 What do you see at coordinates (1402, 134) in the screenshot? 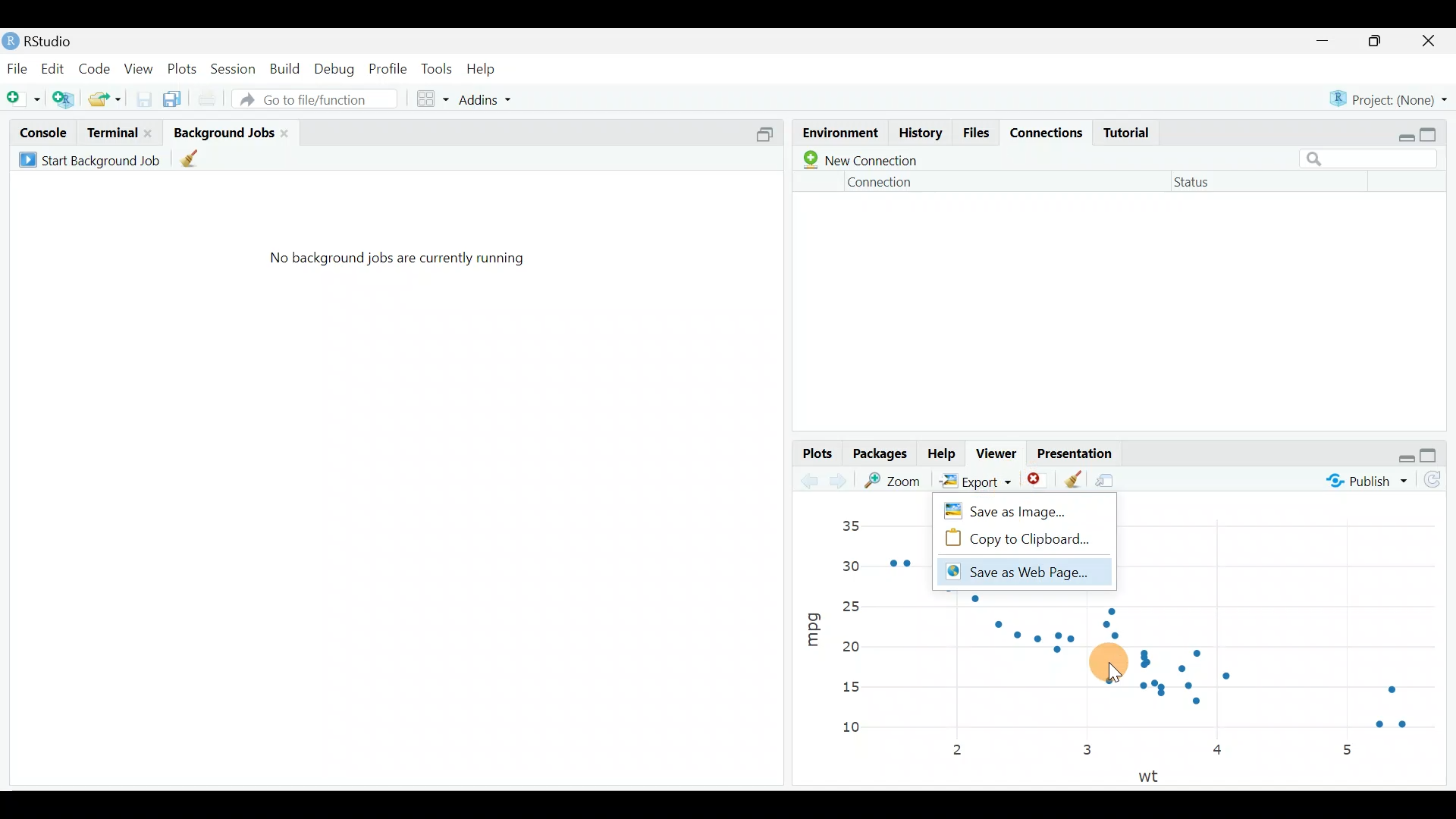
I see `Restore down` at bounding box center [1402, 134].